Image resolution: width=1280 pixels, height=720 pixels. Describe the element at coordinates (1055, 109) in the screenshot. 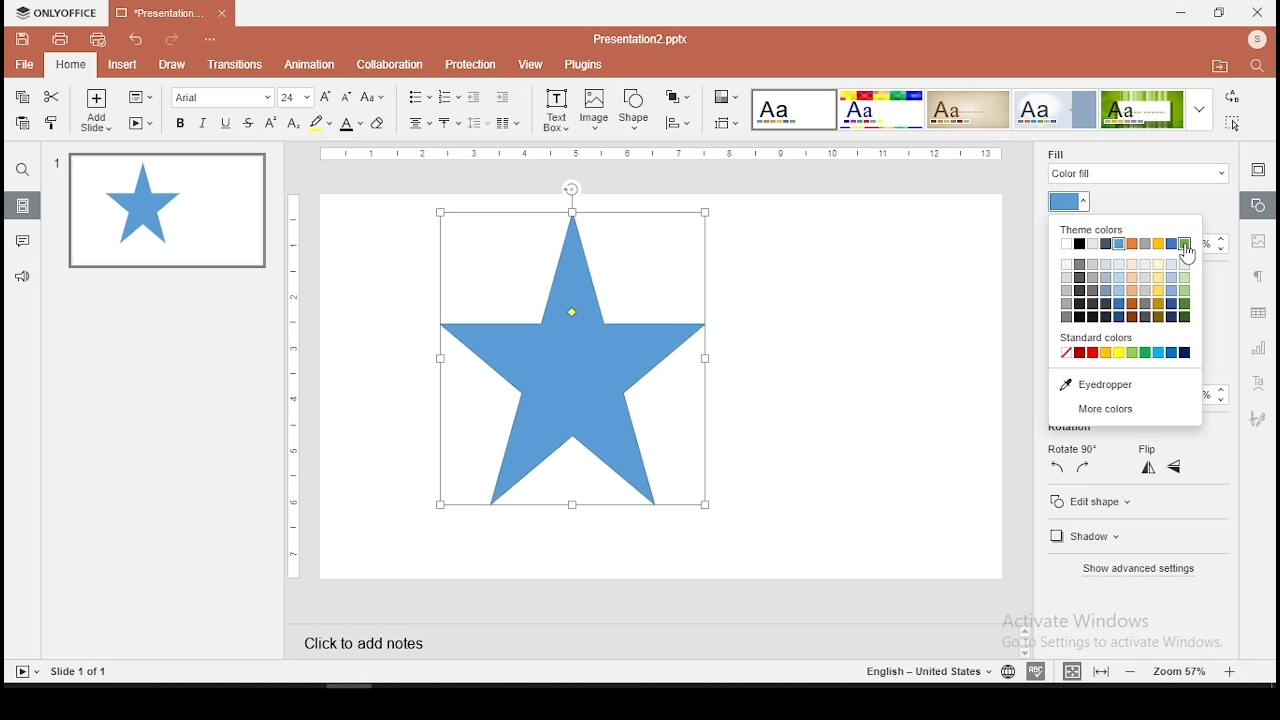

I see `theme` at that location.